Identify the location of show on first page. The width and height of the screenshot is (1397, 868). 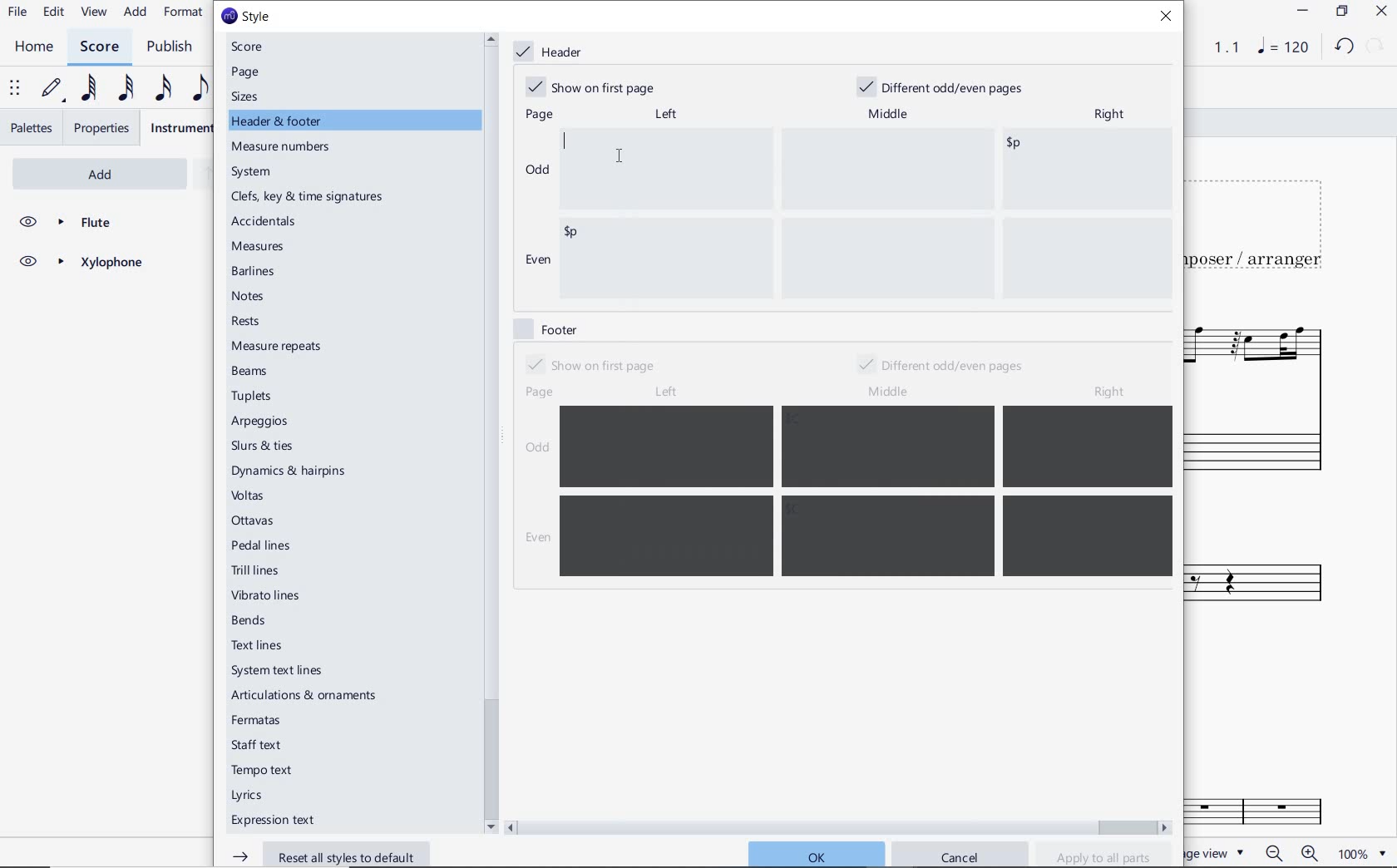
(590, 364).